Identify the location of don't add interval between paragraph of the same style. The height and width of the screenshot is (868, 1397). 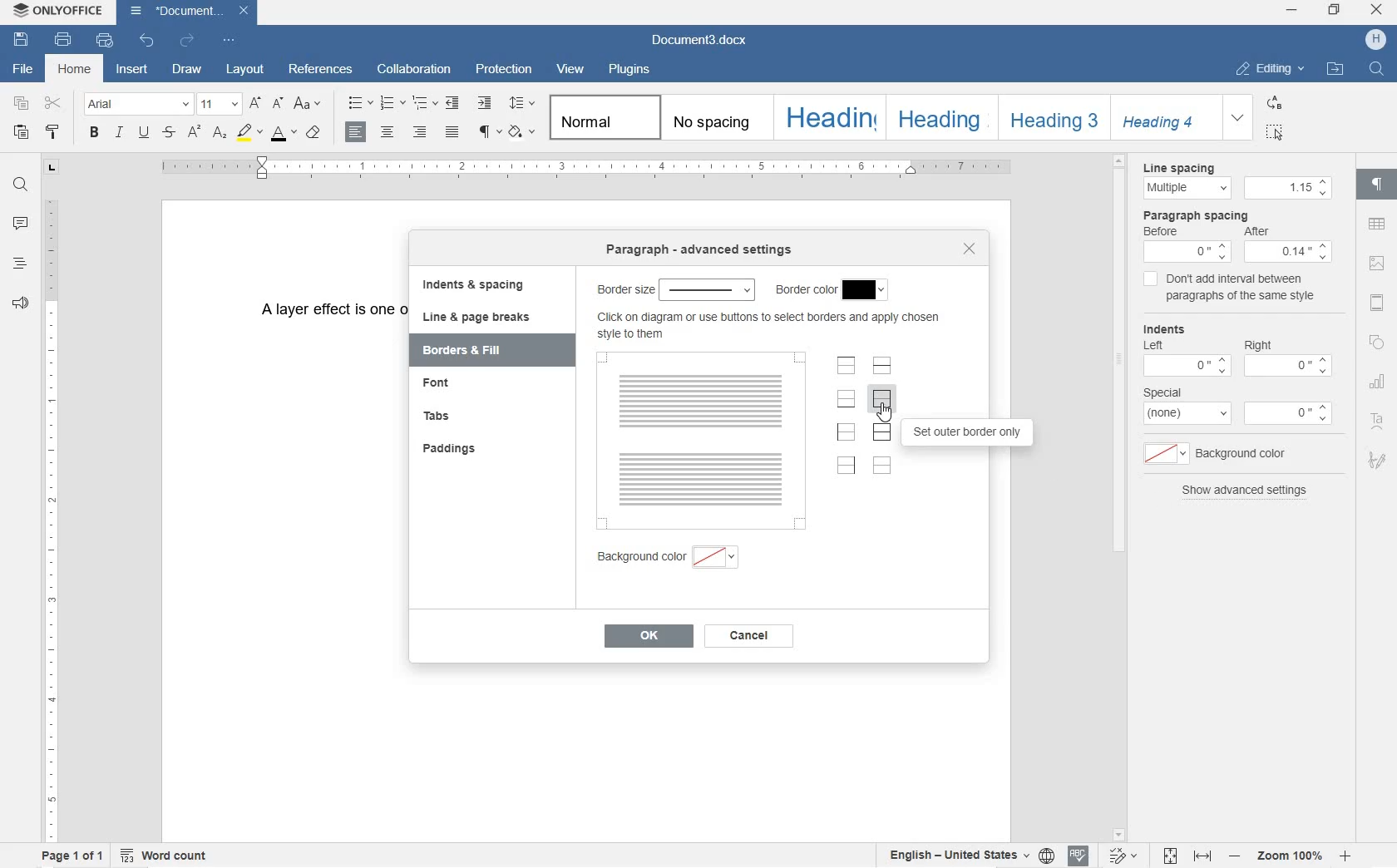
(1229, 291).